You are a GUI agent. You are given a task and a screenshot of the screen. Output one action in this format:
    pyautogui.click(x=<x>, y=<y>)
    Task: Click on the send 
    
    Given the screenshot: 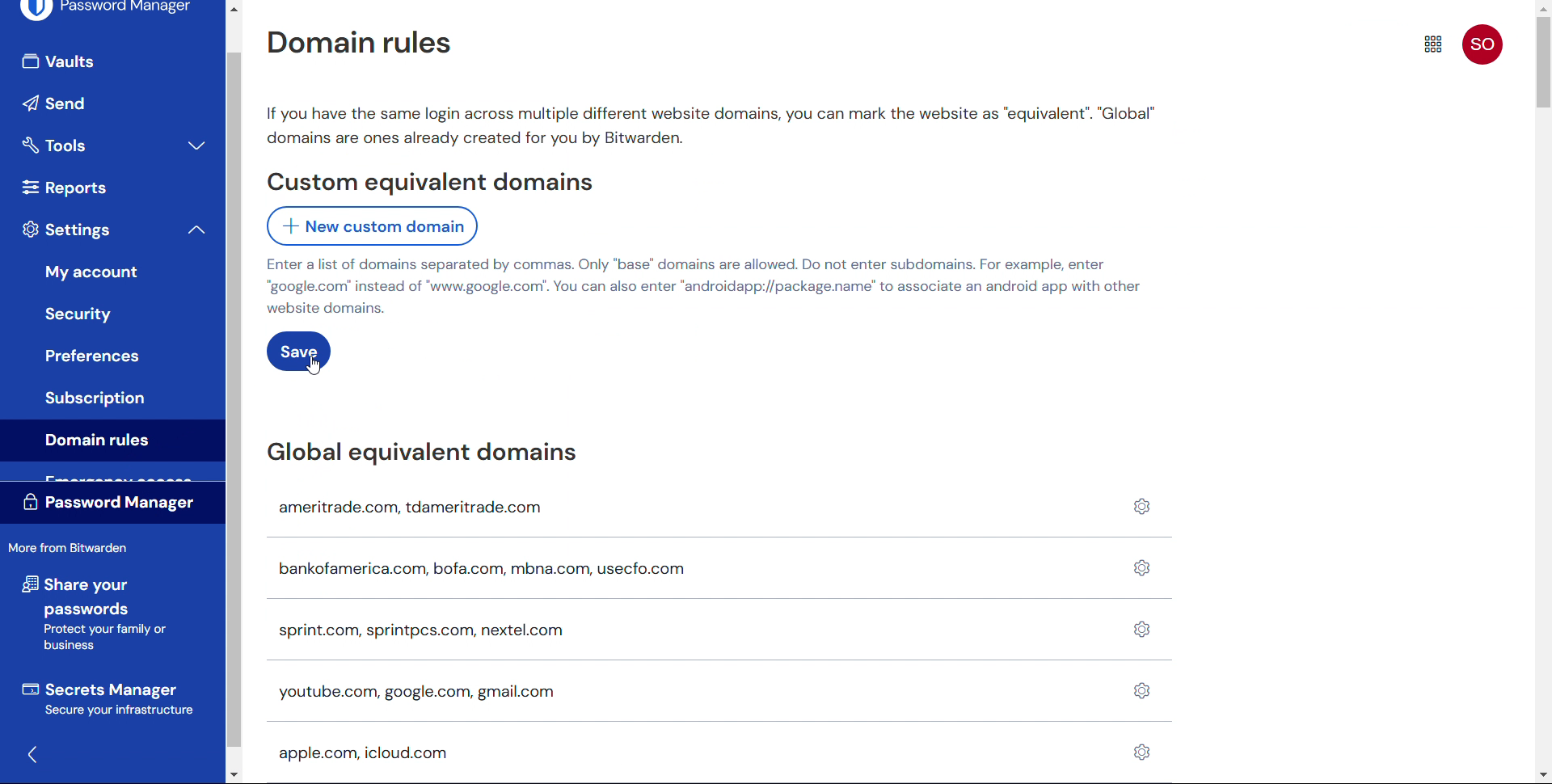 What is the action you would take?
    pyautogui.click(x=103, y=102)
    